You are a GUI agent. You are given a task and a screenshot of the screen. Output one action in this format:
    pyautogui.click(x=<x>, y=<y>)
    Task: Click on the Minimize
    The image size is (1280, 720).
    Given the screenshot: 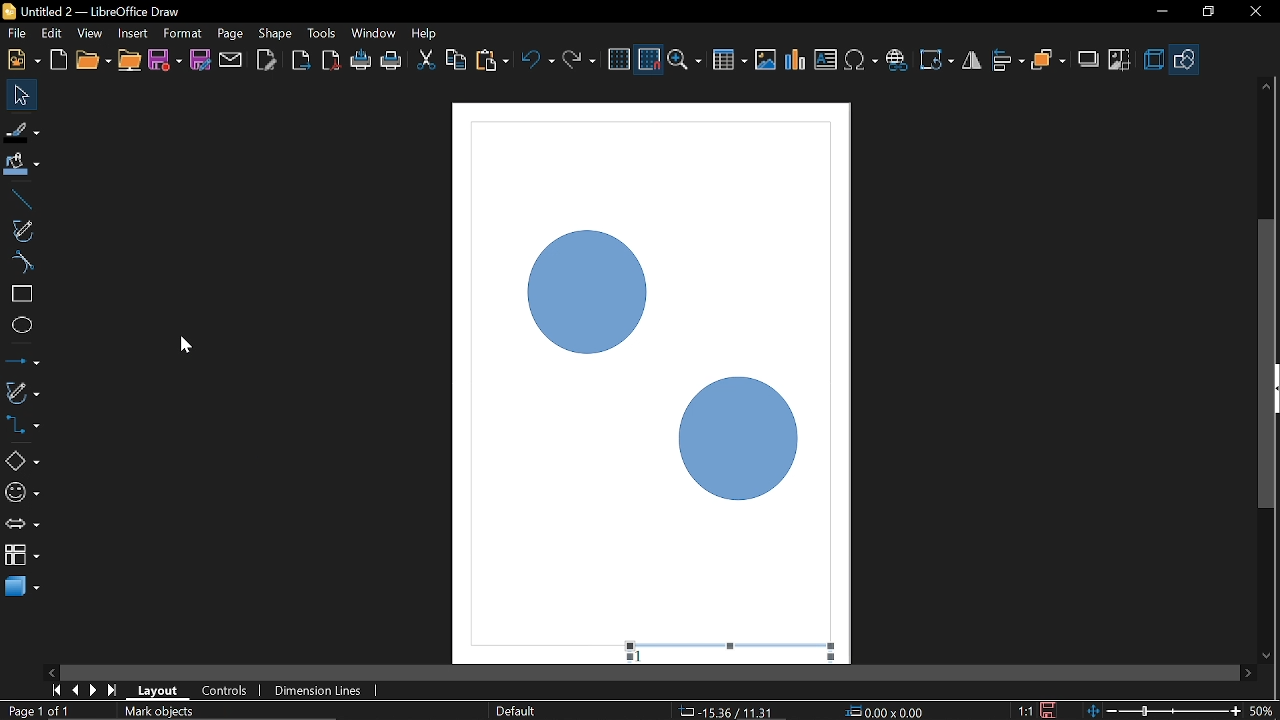 What is the action you would take?
    pyautogui.click(x=1159, y=13)
    